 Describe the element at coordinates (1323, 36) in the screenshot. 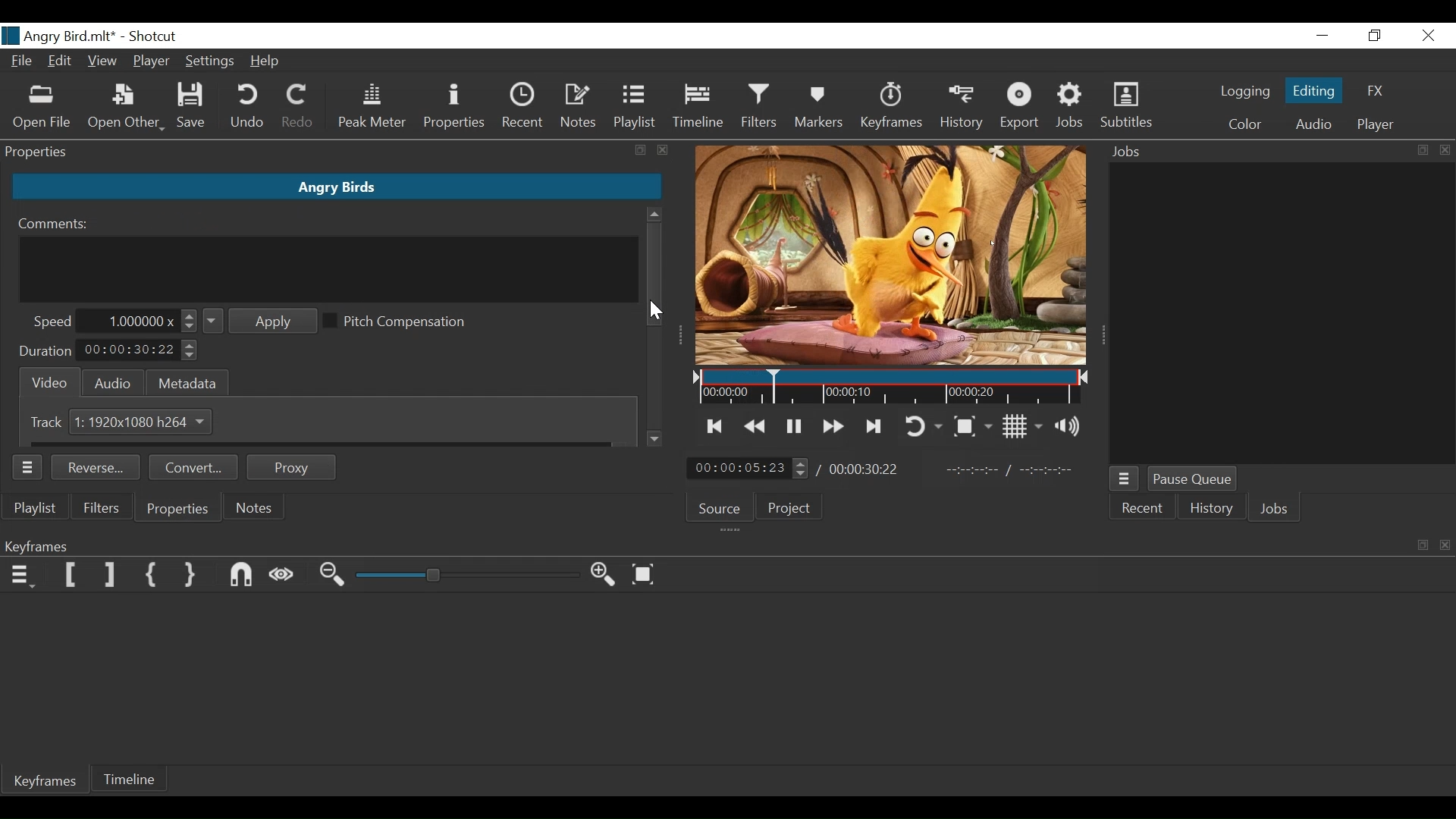

I see `Minimize` at that location.